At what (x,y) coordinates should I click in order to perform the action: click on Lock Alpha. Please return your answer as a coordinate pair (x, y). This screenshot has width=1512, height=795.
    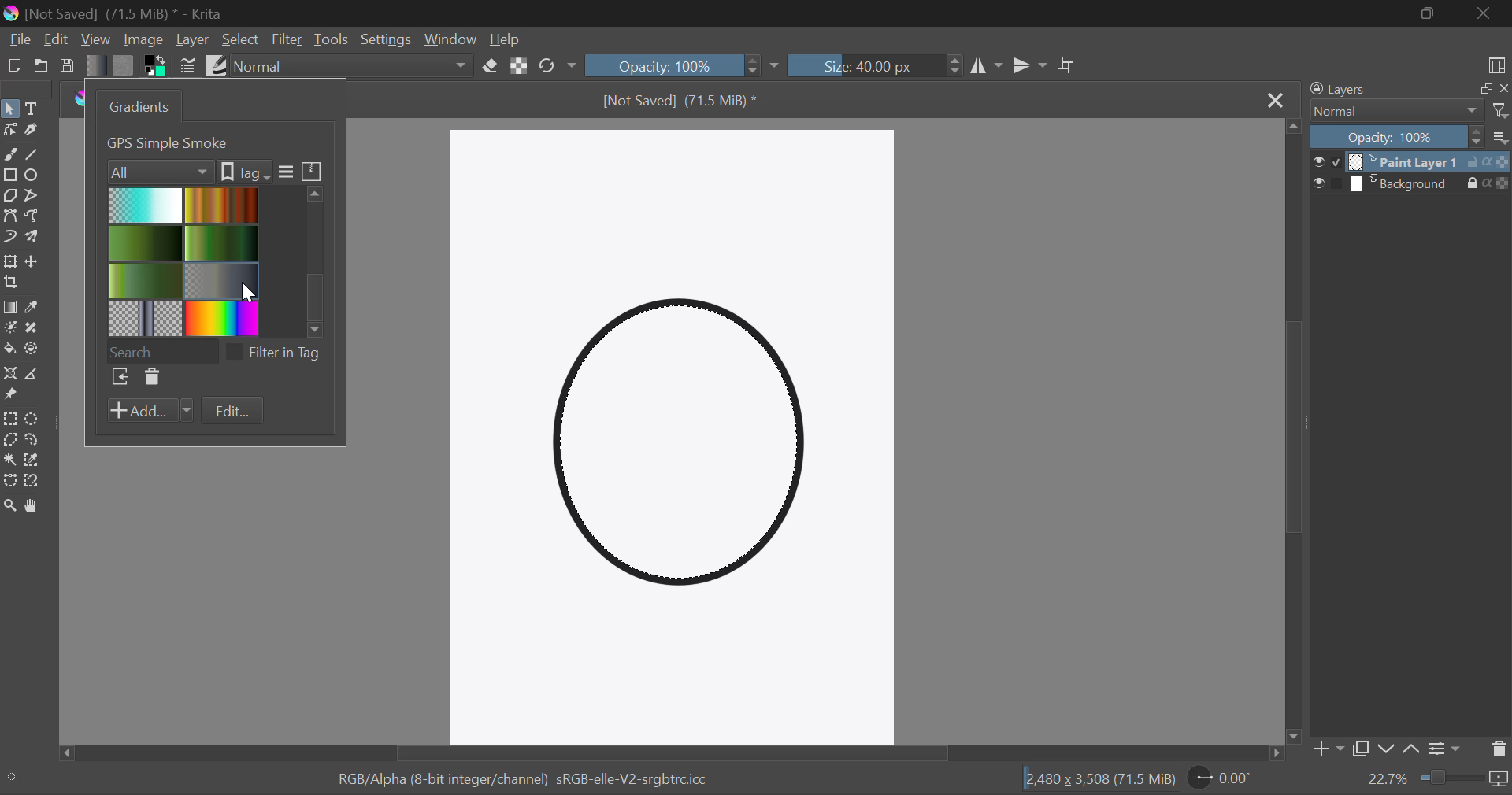
    Looking at the image, I should click on (521, 66).